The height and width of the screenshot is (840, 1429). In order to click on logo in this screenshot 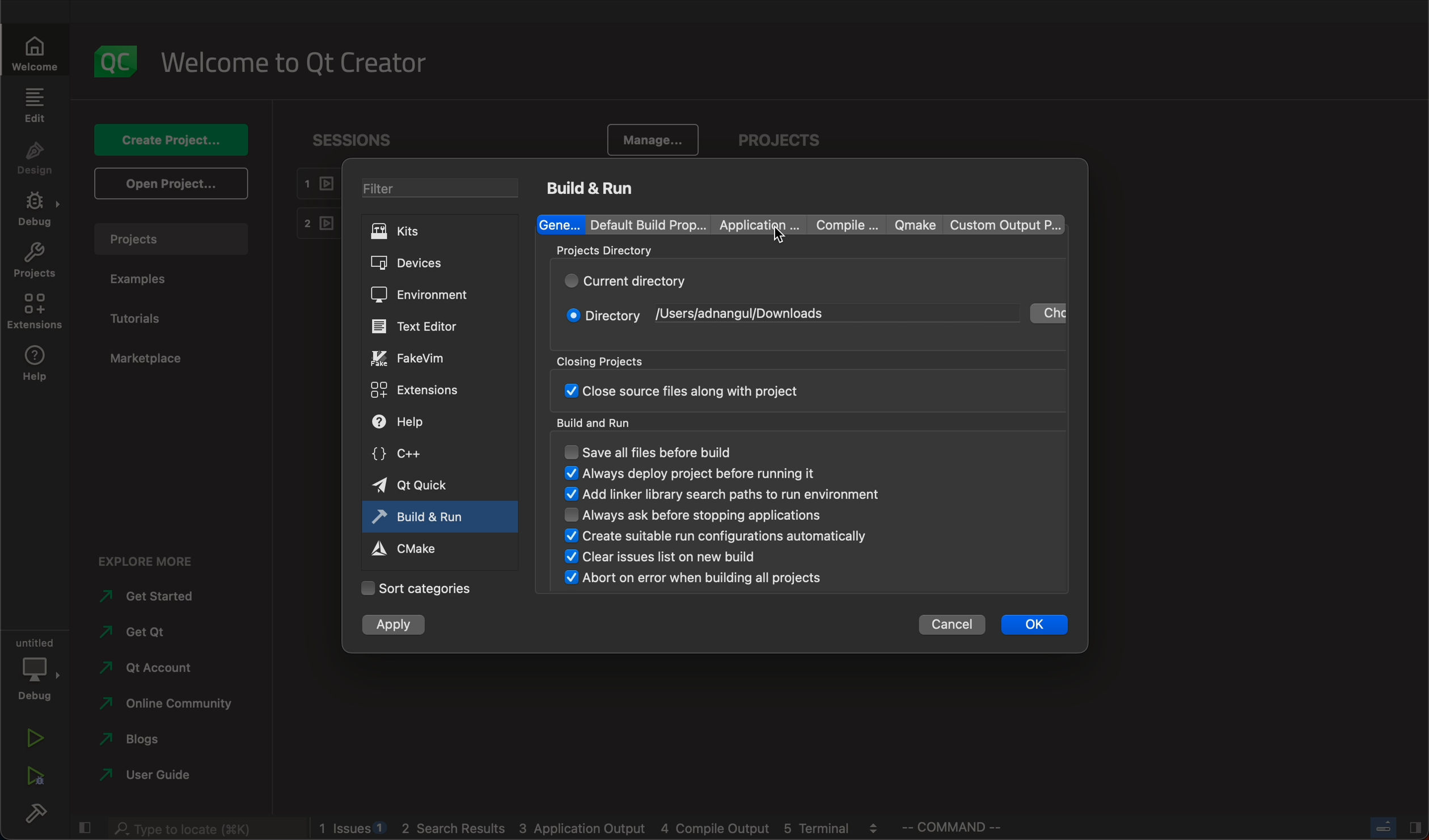, I will do `click(114, 59)`.